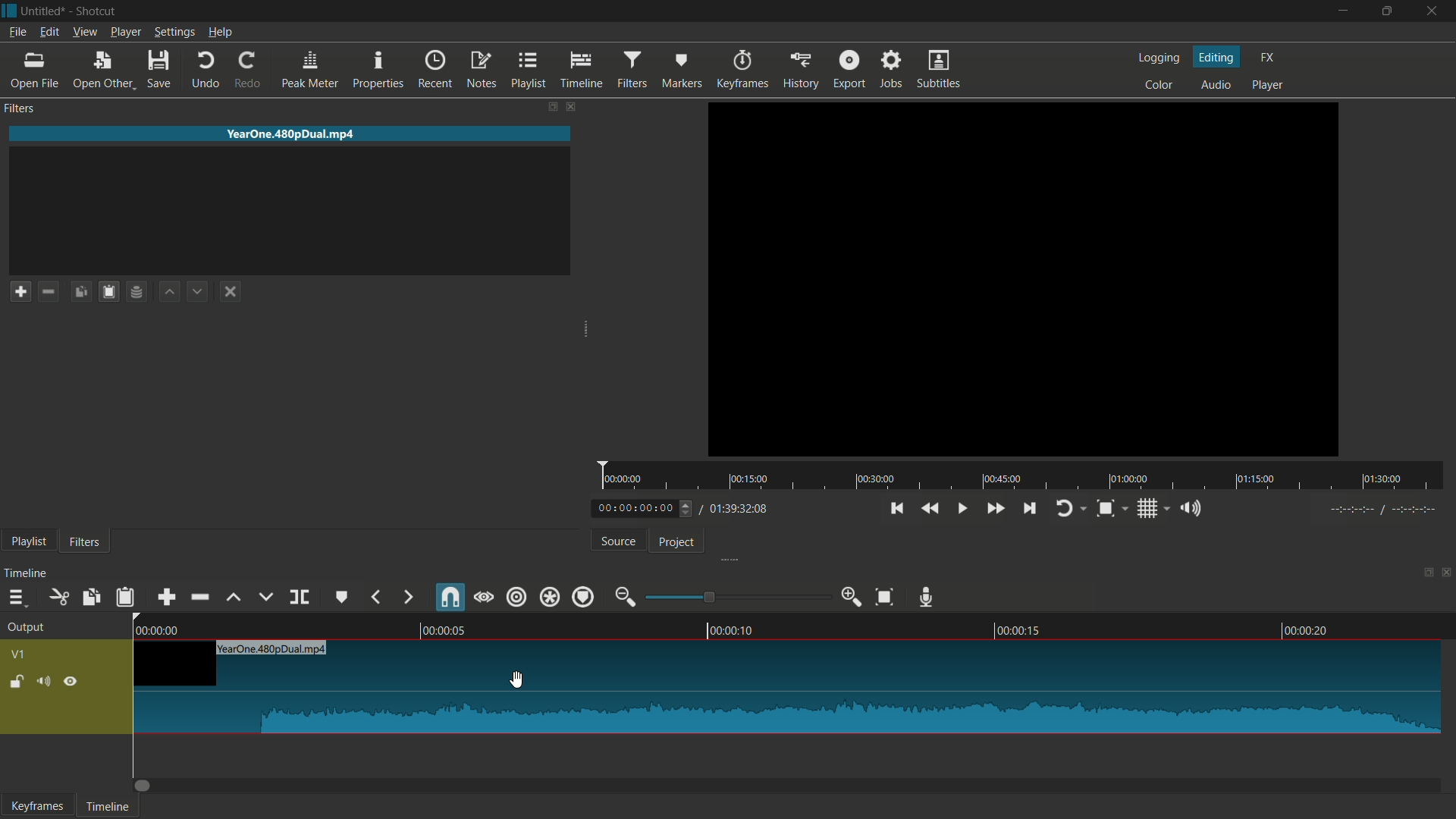 Image resolution: width=1456 pixels, height=819 pixels. I want to click on quickly play backward, so click(931, 508).